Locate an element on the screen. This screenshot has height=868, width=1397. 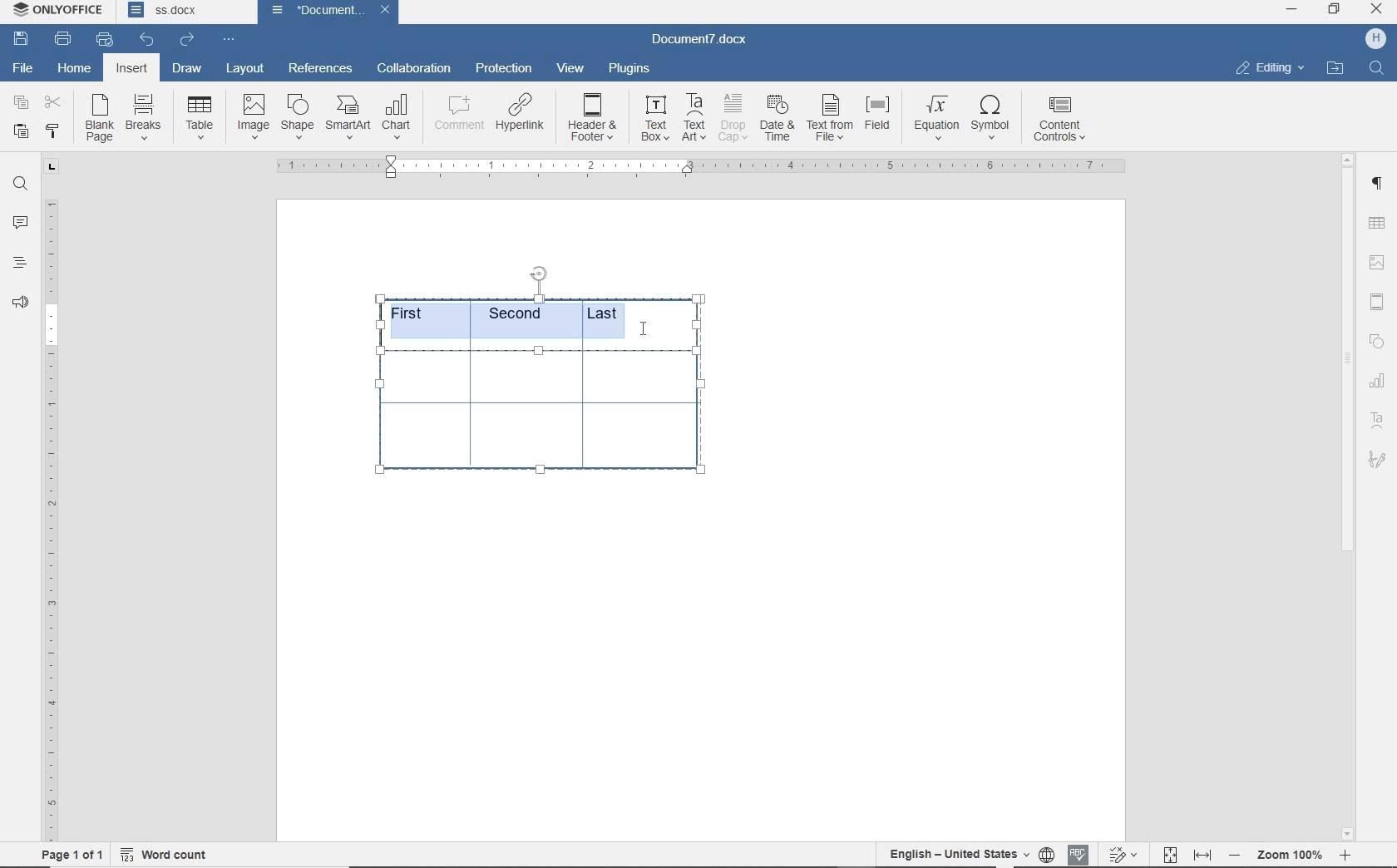
scrollbar is located at coordinates (1348, 496).